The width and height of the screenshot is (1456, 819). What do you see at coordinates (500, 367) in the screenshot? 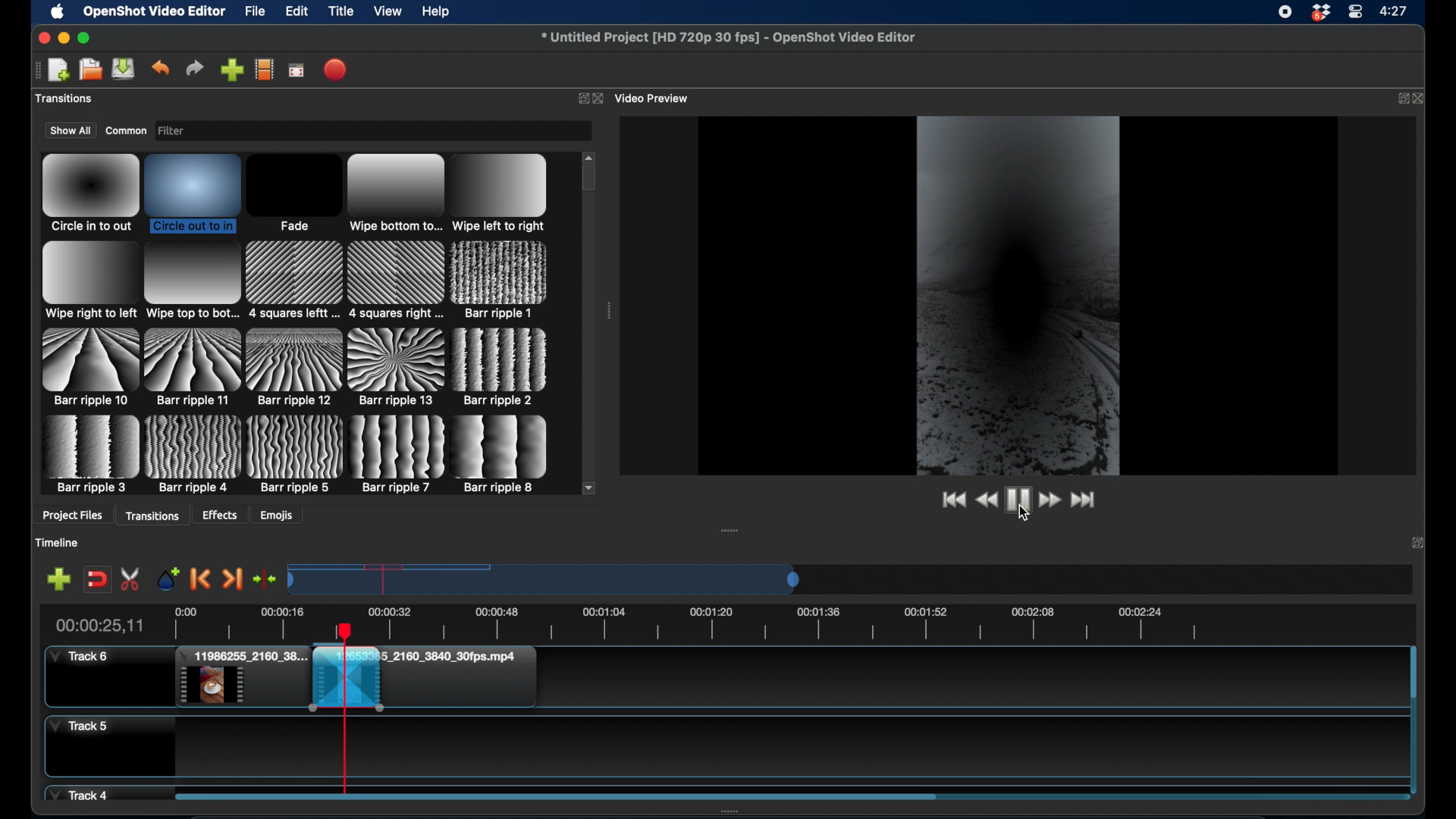
I see `transition` at bounding box center [500, 367].